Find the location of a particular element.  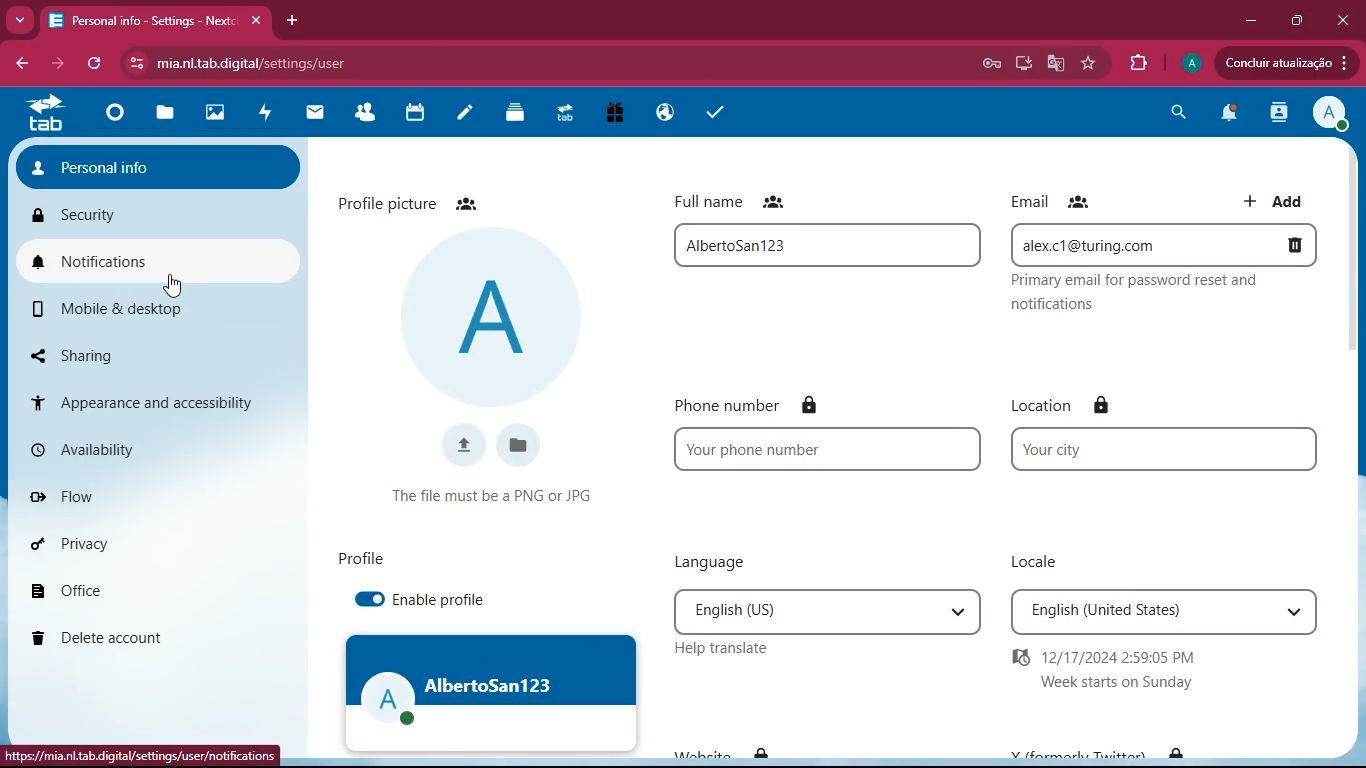

https://mia.nl.tab.digital/settings/user/notifications is located at coordinates (142, 754).